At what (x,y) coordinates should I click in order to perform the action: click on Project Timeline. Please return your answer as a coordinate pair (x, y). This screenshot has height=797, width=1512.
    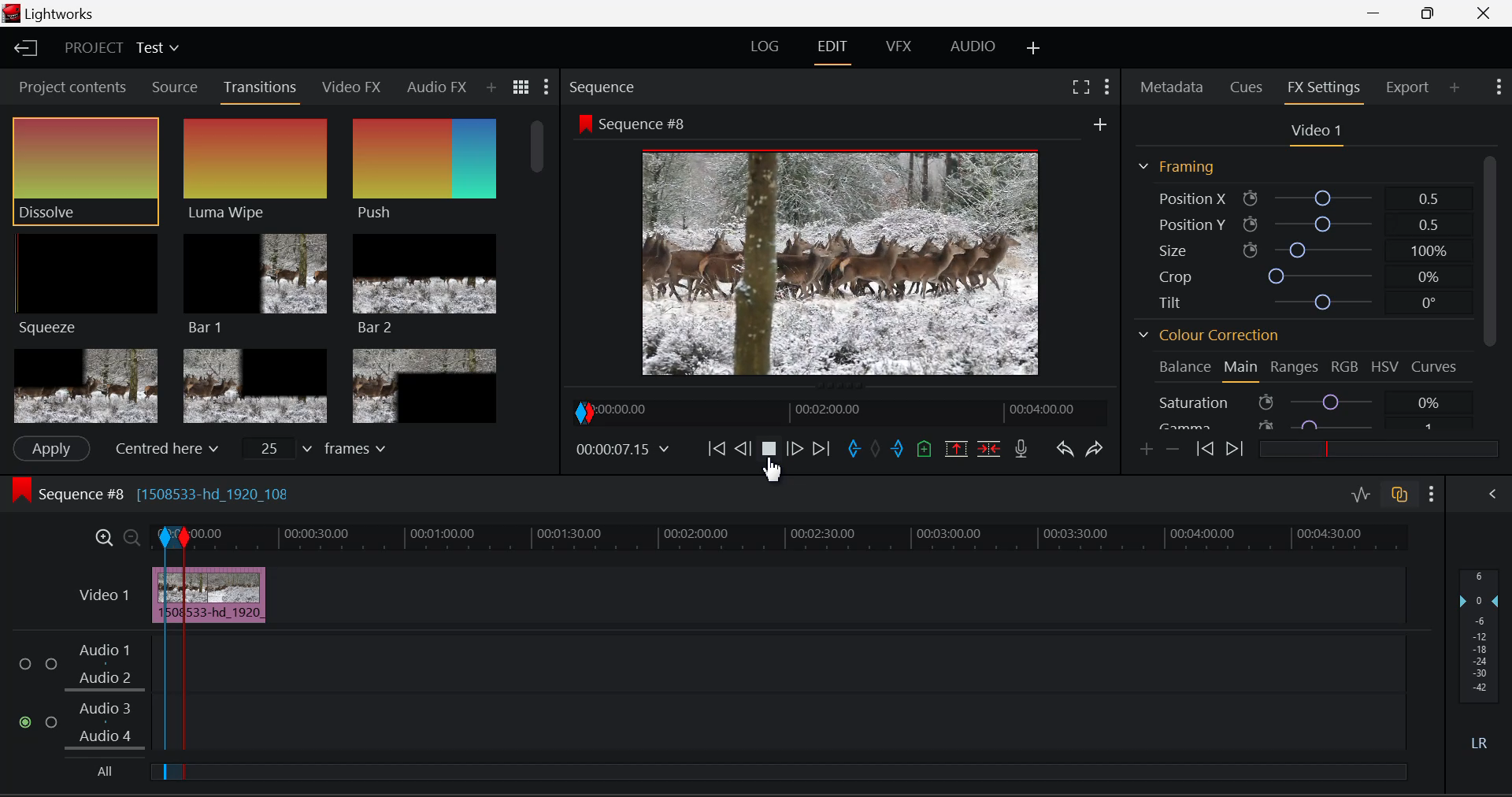
    Looking at the image, I should click on (802, 536).